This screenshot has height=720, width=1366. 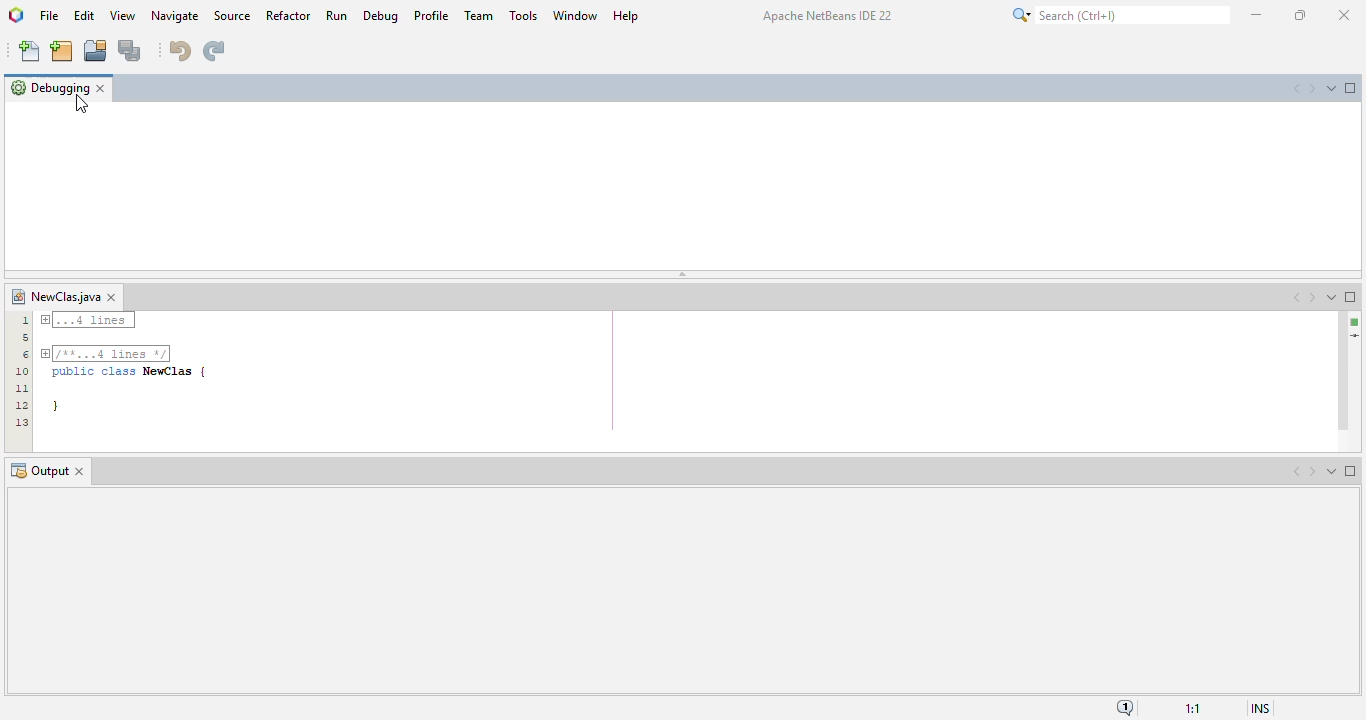 I want to click on scroll documents left, so click(x=1296, y=88).